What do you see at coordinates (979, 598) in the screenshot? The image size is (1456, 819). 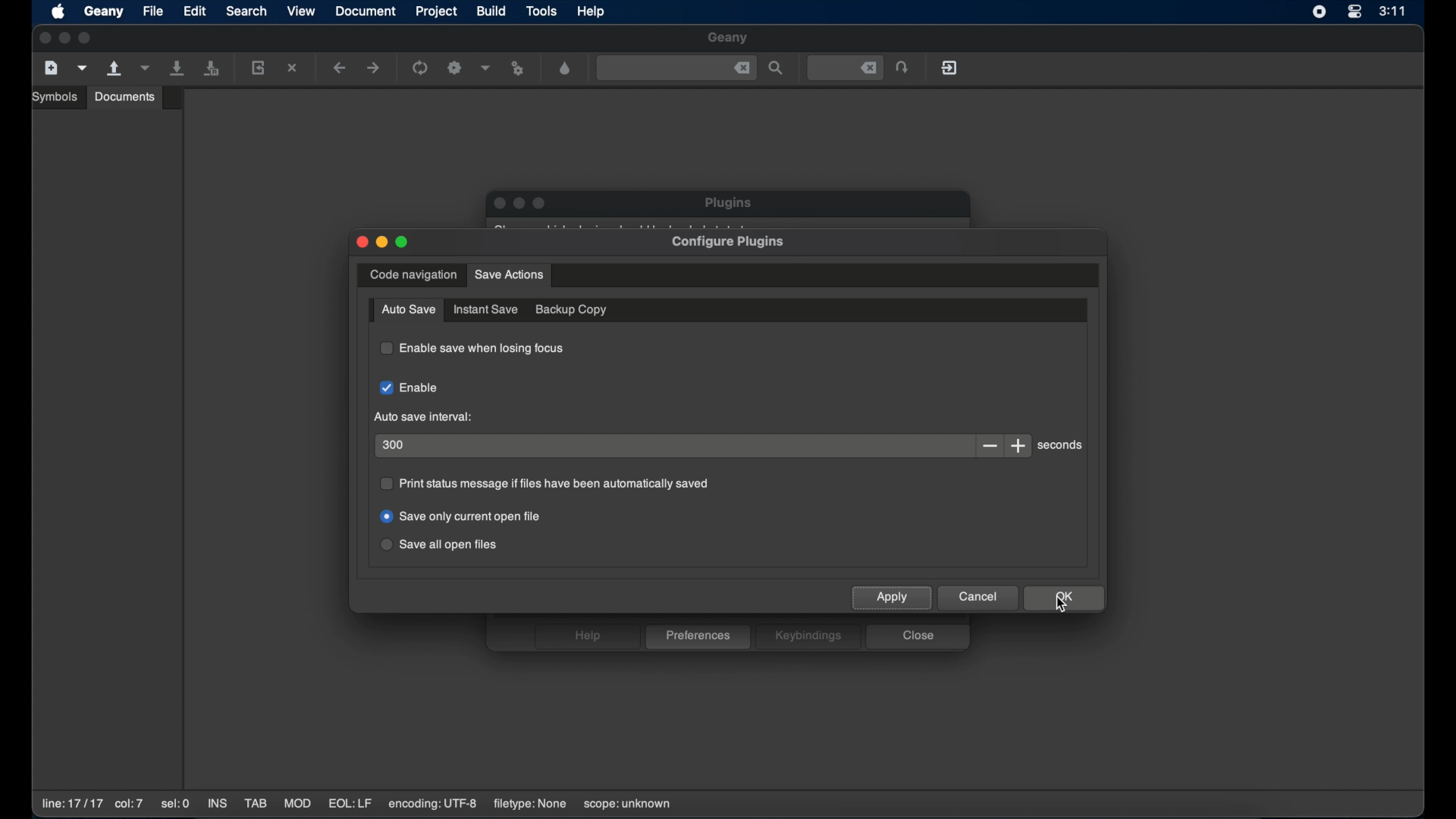 I see `cancel` at bounding box center [979, 598].